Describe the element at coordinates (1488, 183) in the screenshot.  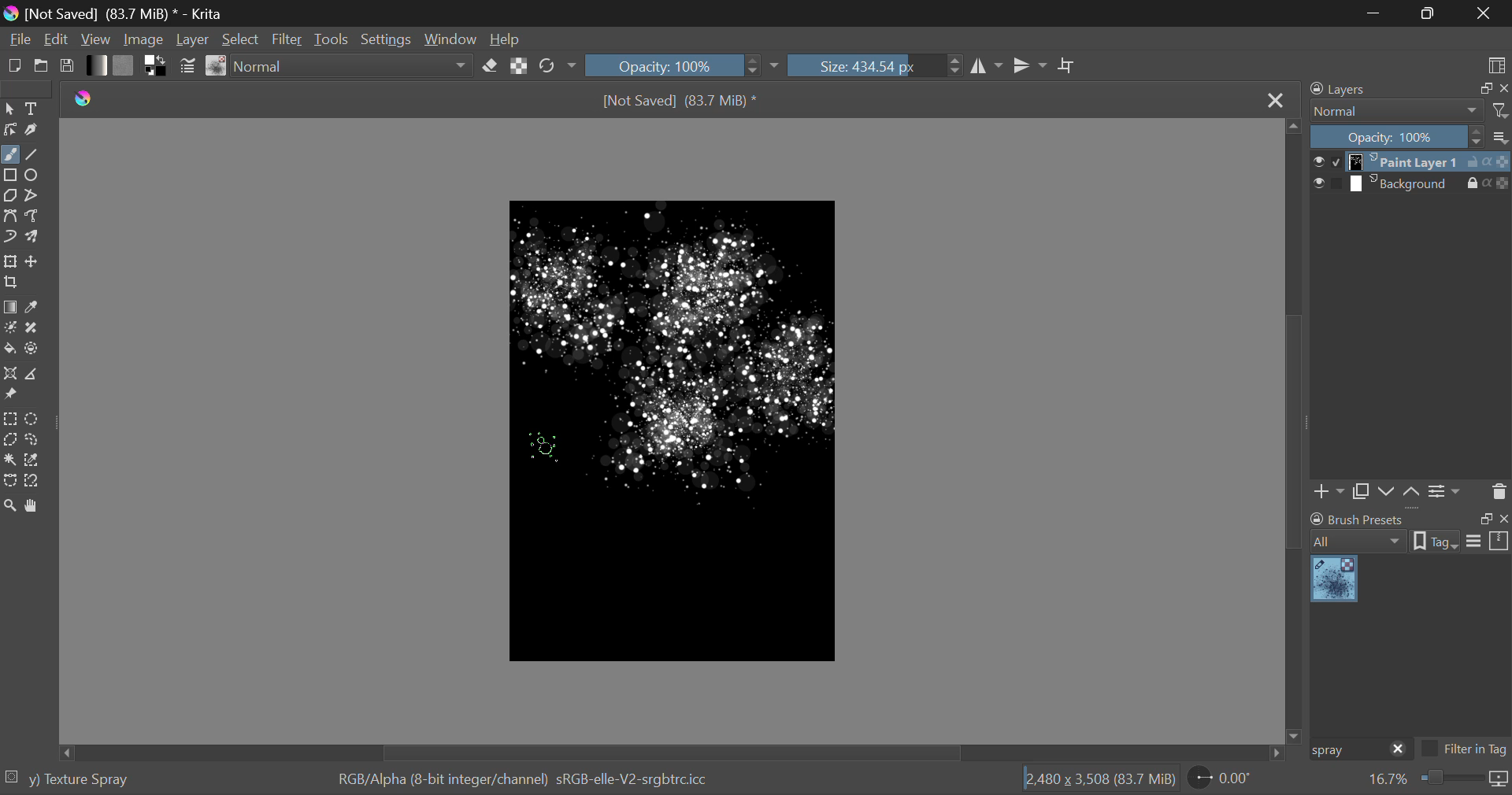
I see `actions` at that location.